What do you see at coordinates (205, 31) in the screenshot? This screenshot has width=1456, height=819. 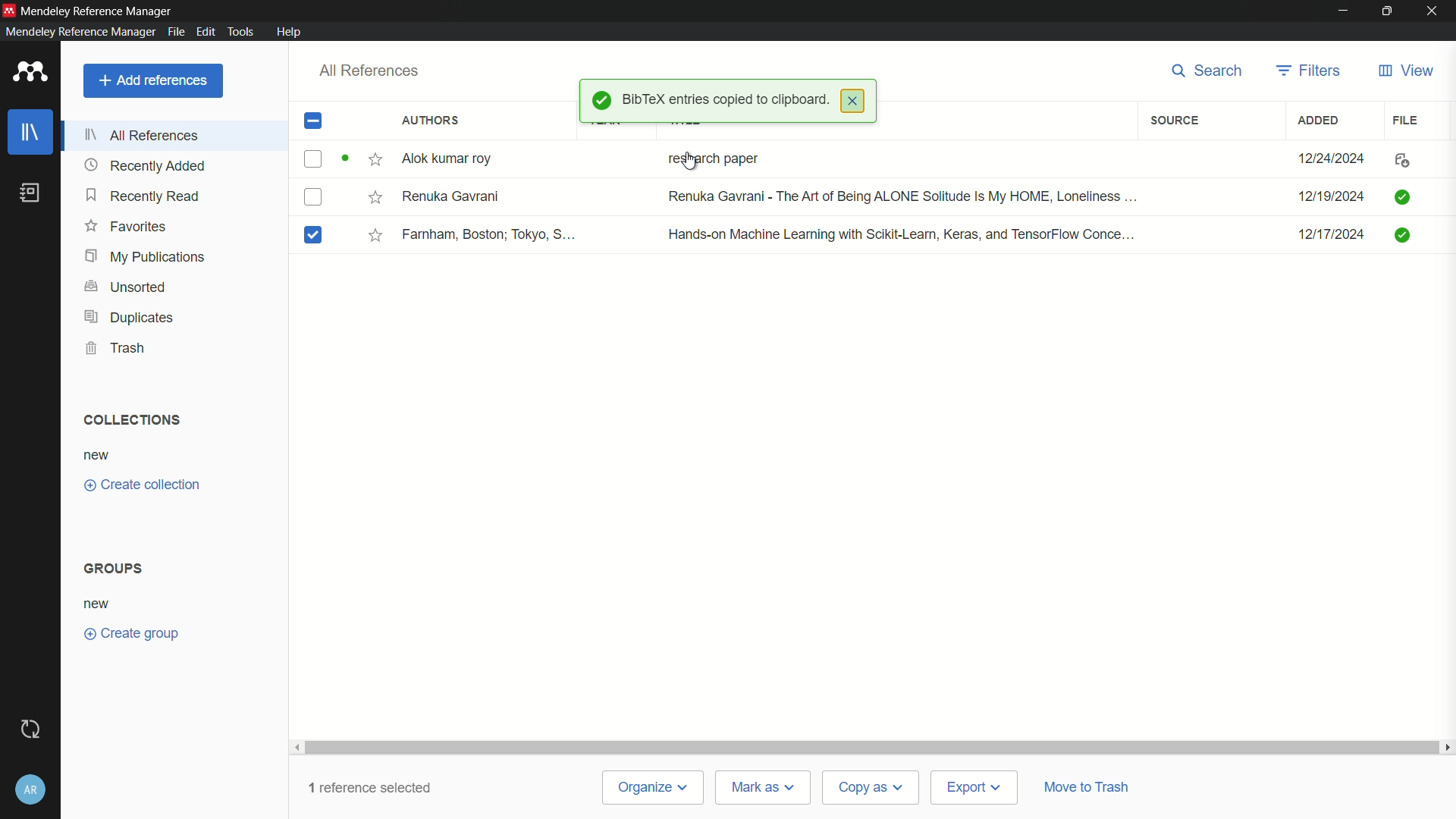 I see `edit menu` at bounding box center [205, 31].